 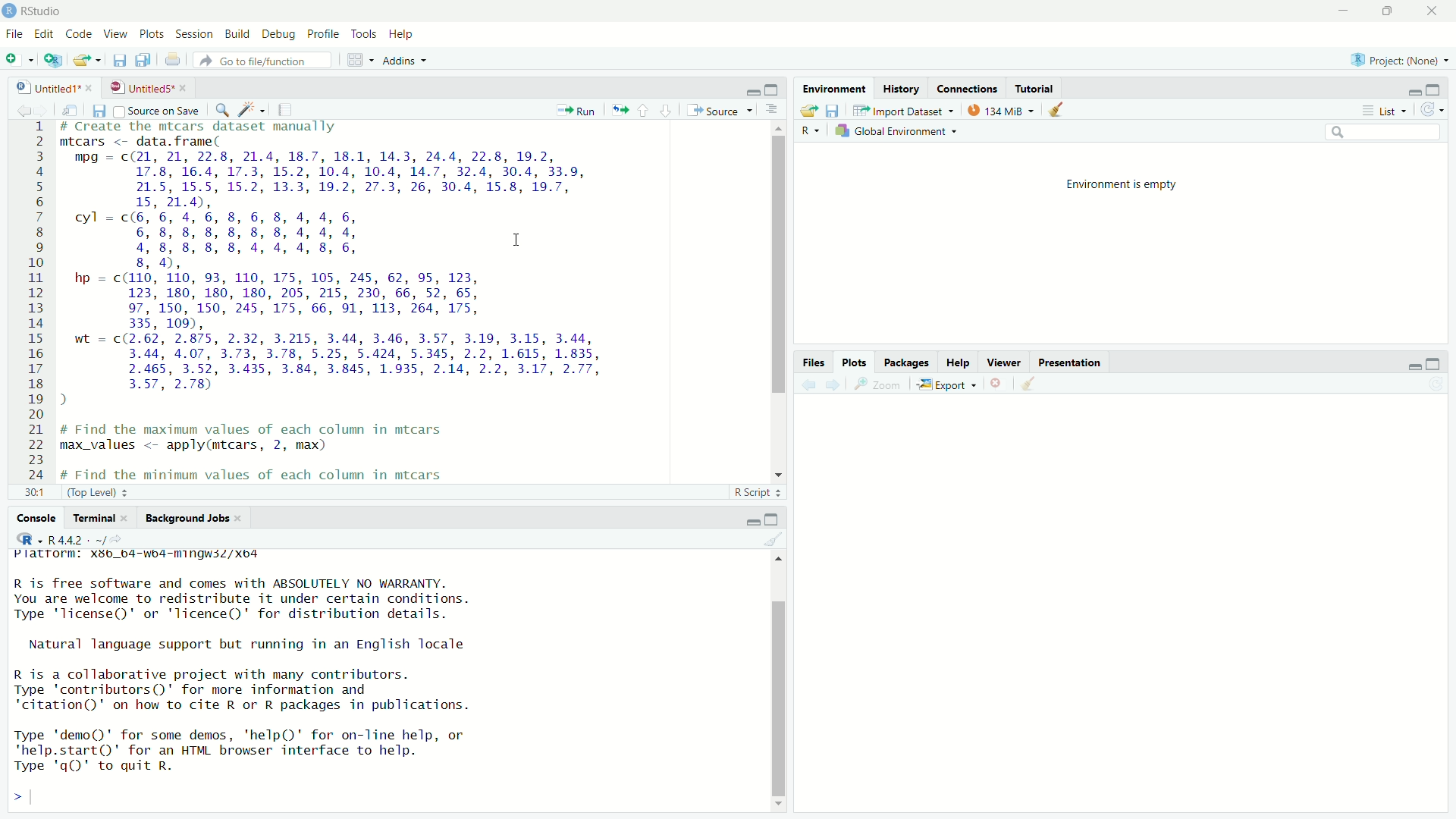 What do you see at coordinates (362, 33) in the screenshot?
I see `Tools` at bounding box center [362, 33].